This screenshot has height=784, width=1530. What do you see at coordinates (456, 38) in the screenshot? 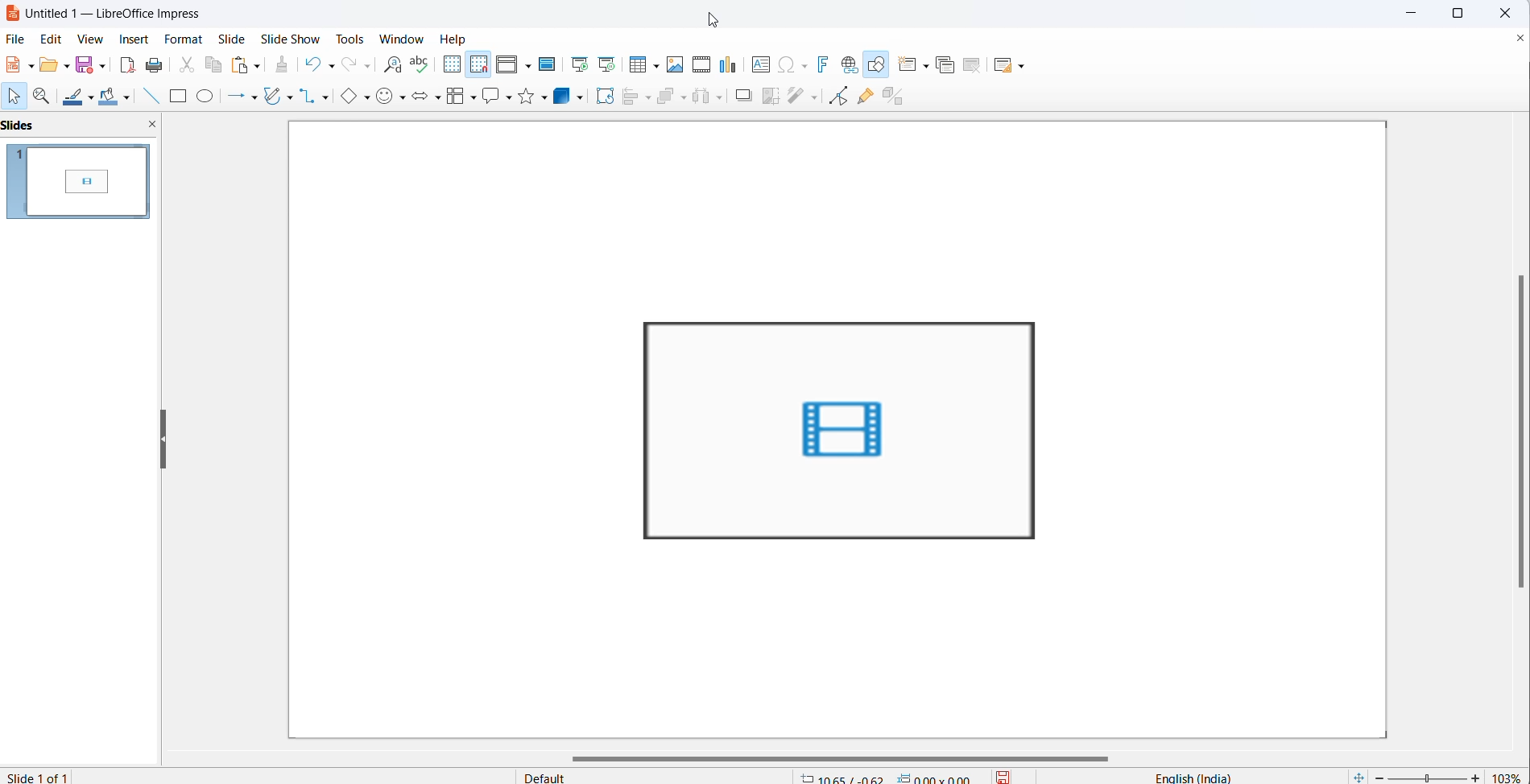
I see `help` at bounding box center [456, 38].